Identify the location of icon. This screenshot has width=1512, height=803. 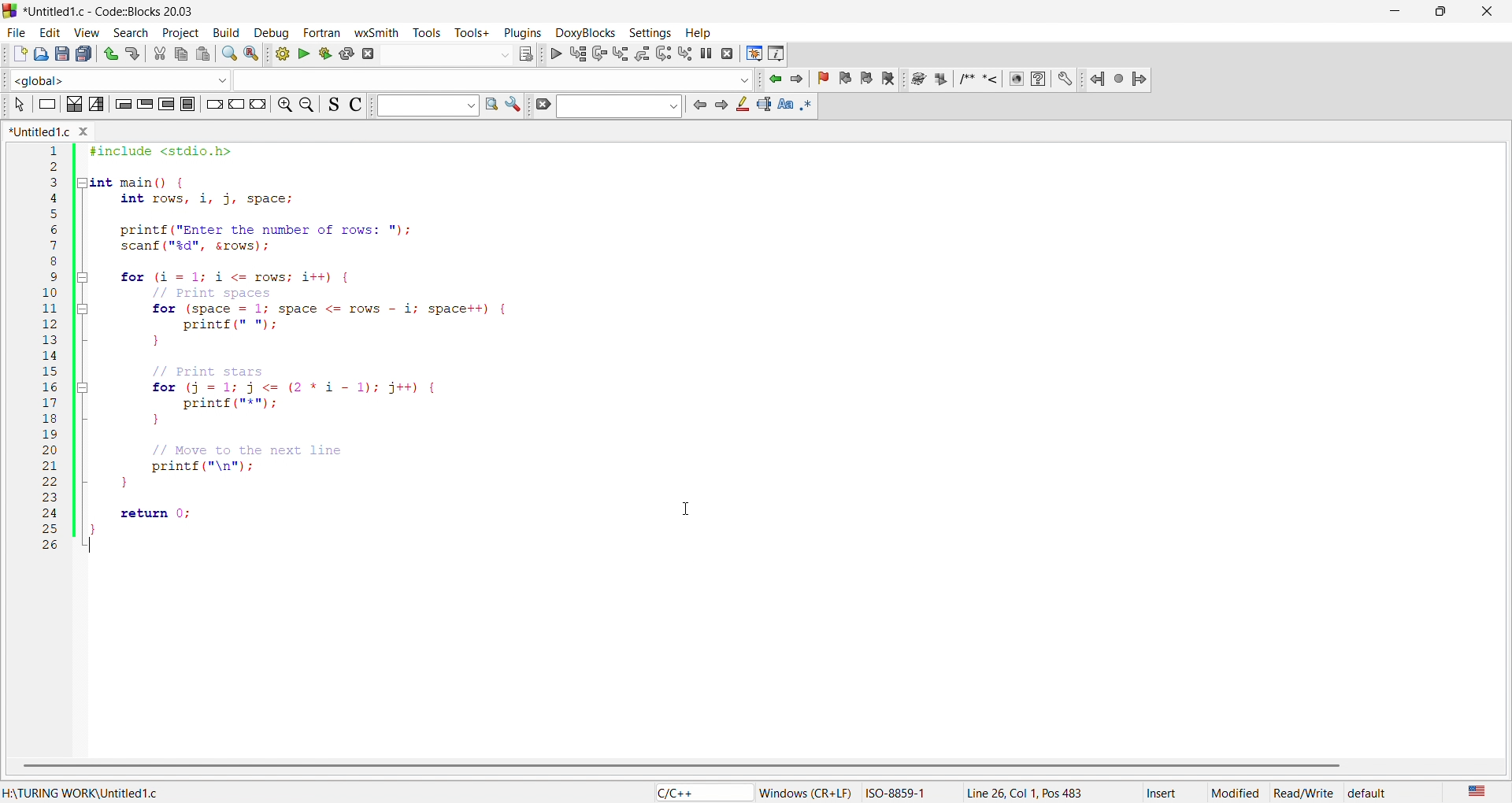
(211, 105).